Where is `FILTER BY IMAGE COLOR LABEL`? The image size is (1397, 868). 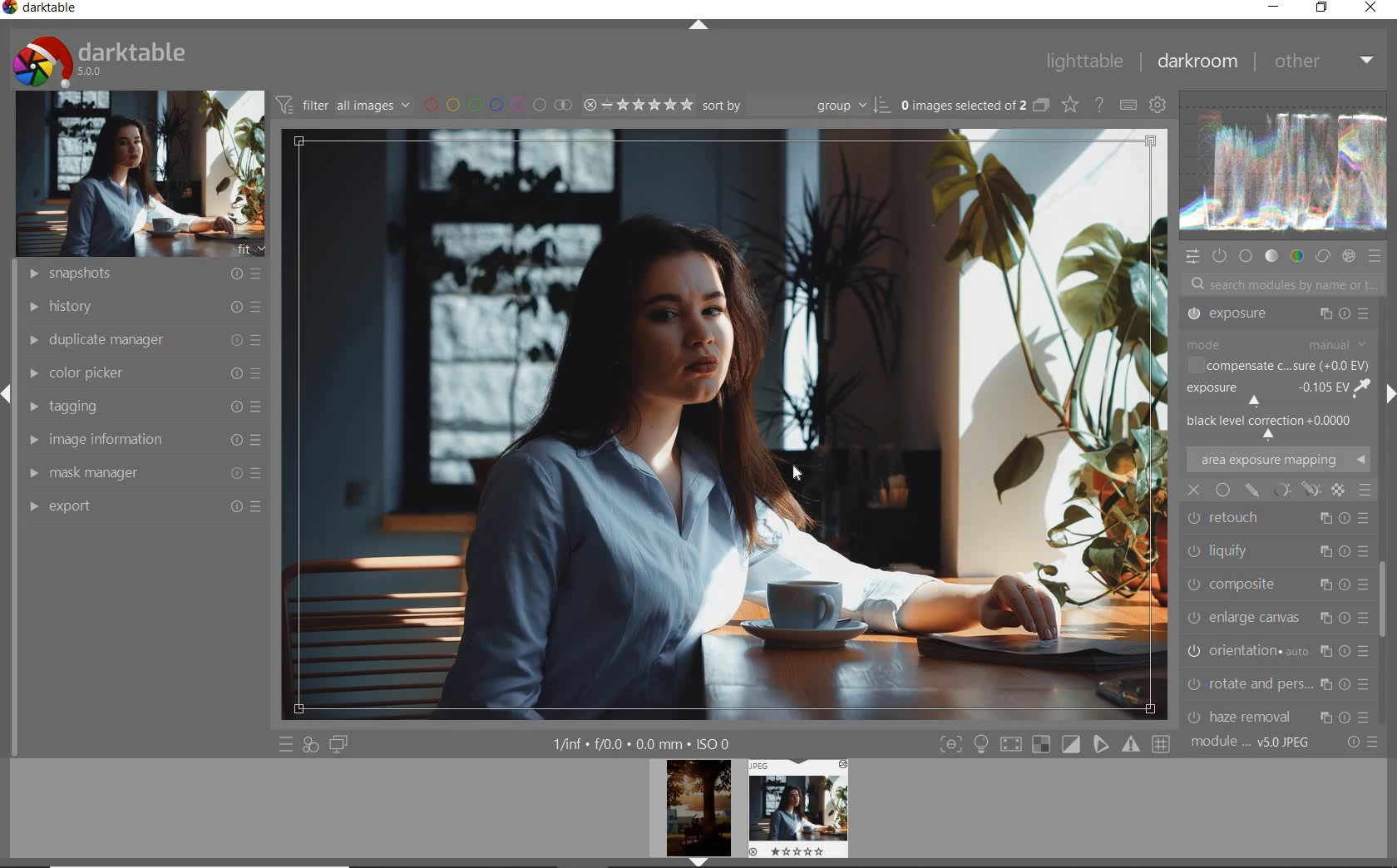
FILTER BY IMAGE COLOR LABEL is located at coordinates (496, 106).